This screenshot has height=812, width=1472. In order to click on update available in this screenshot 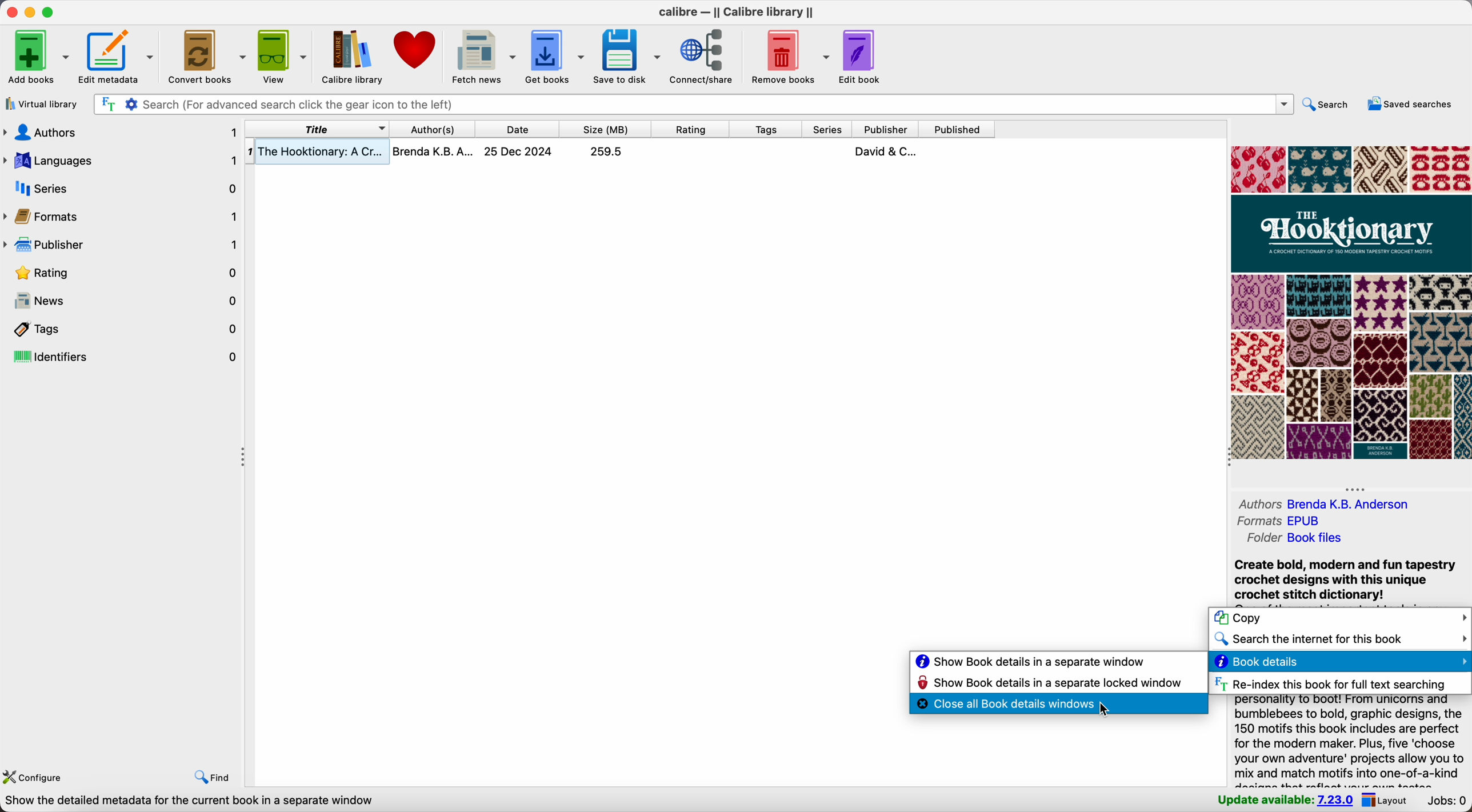, I will do `click(1285, 802)`.